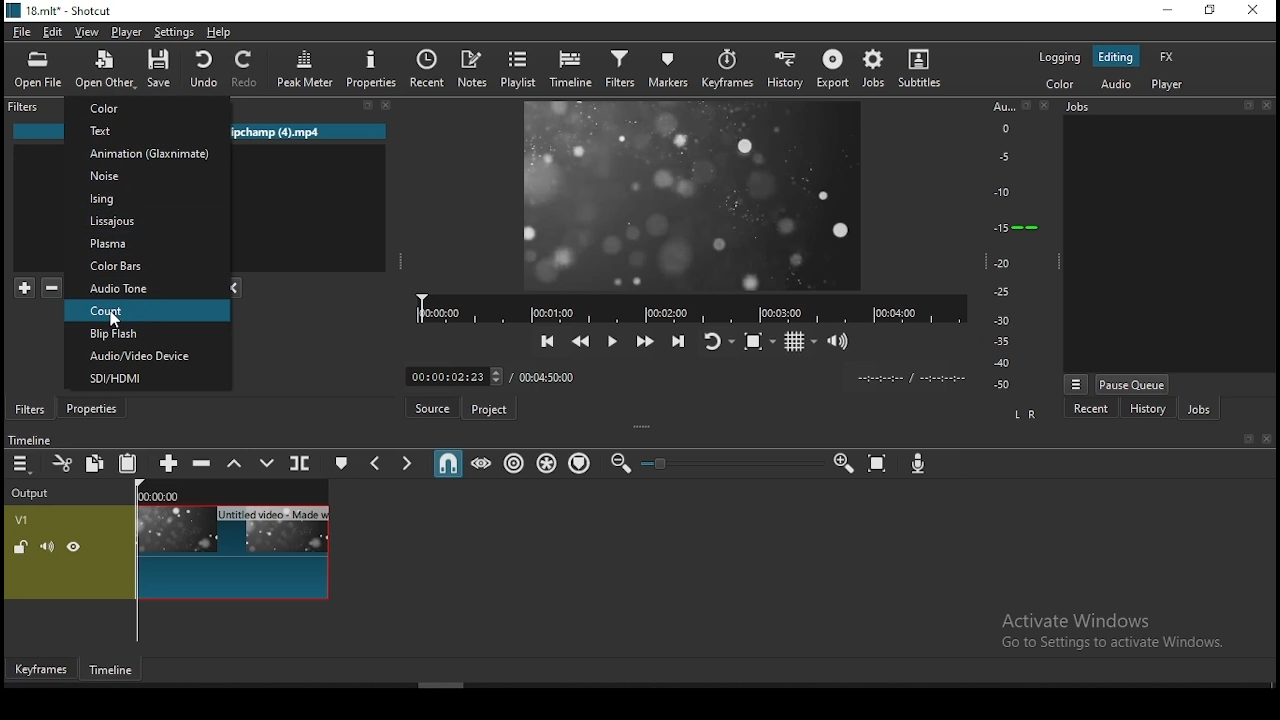 This screenshot has height=720, width=1280. What do you see at coordinates (618, 70) in the screenshot?
I see `filters` at bounding box center [618, 70].